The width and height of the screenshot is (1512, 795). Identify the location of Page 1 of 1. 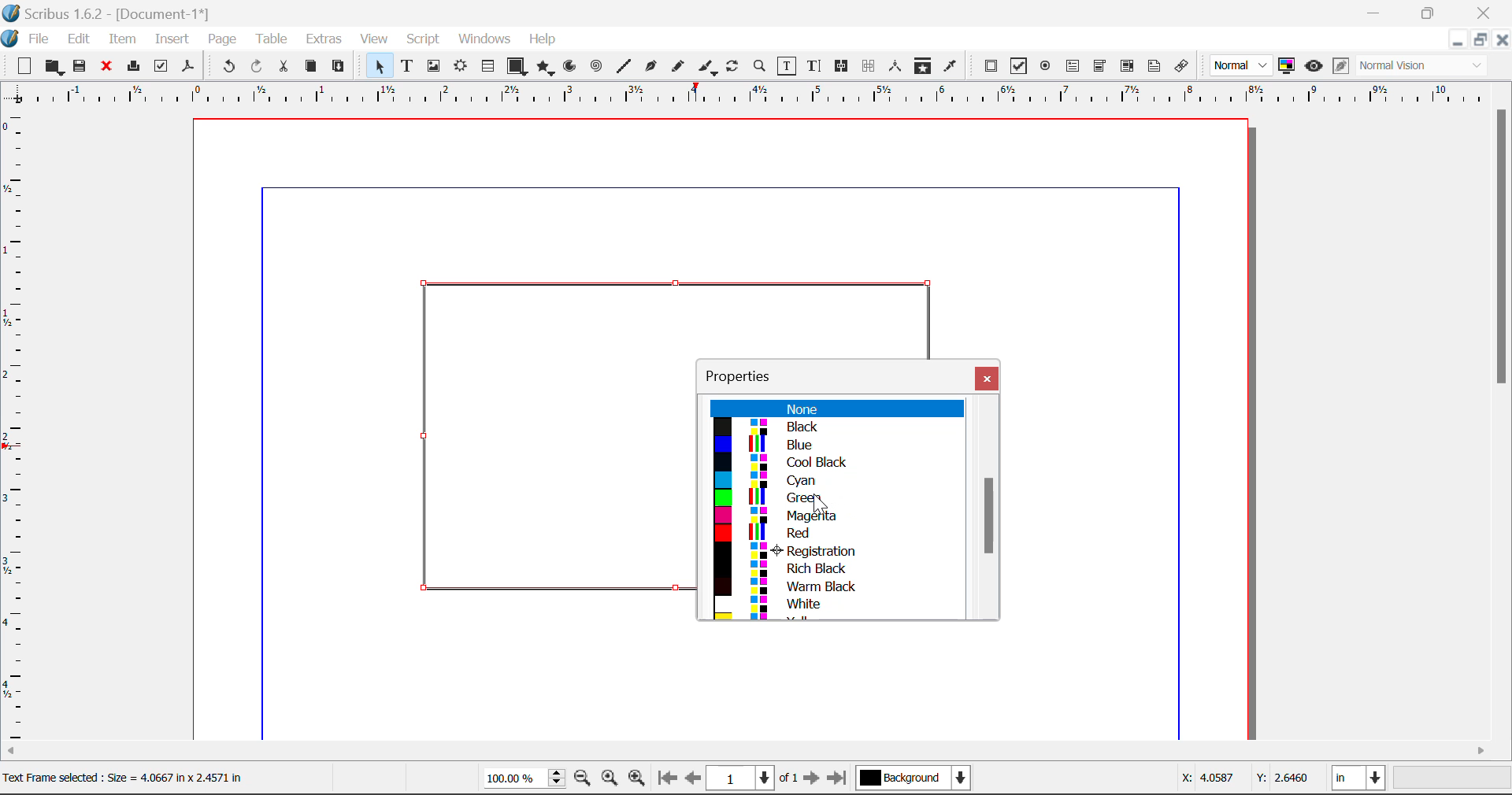
(754, 778).